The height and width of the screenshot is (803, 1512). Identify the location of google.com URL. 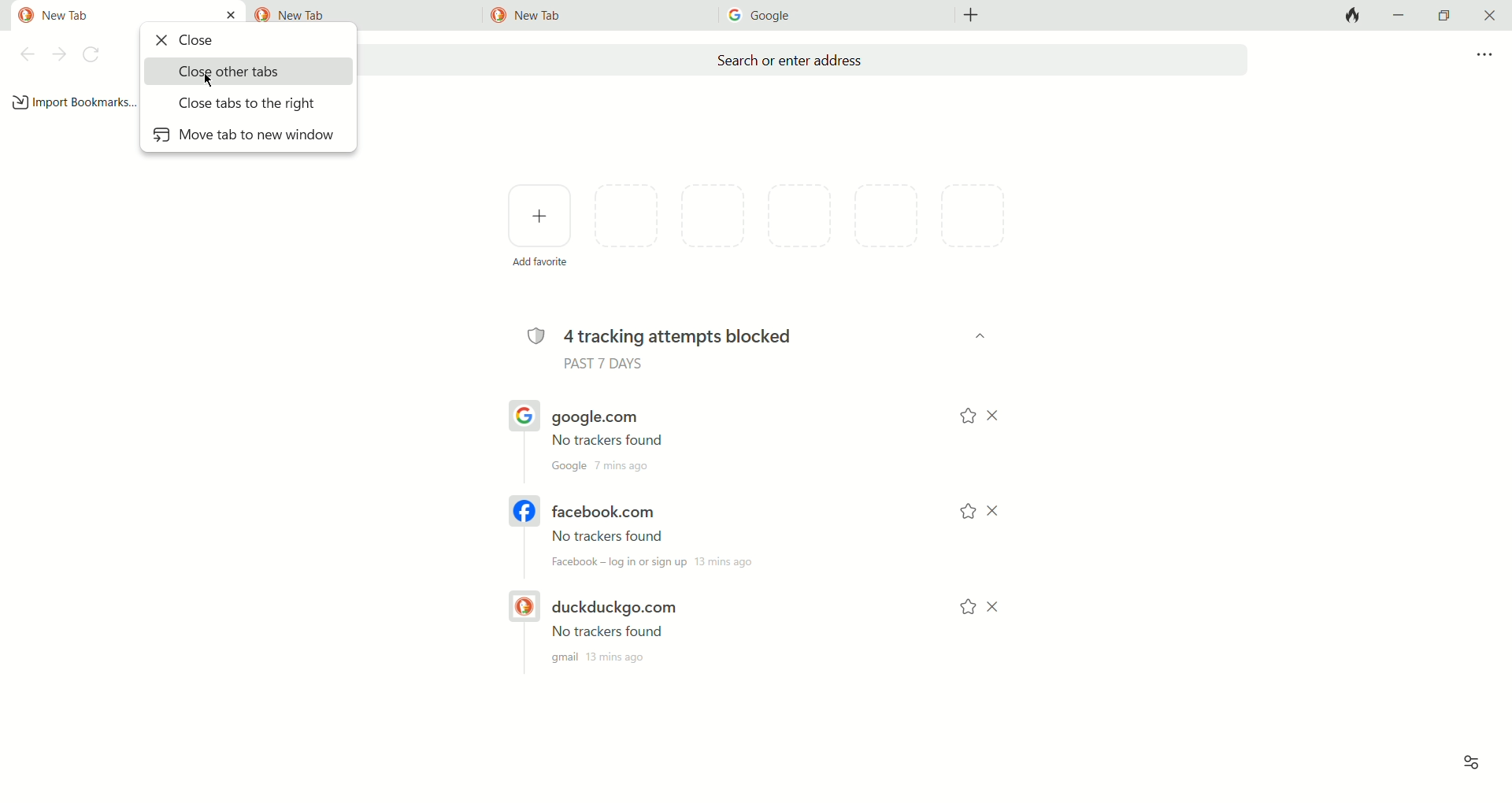
(620, 437).